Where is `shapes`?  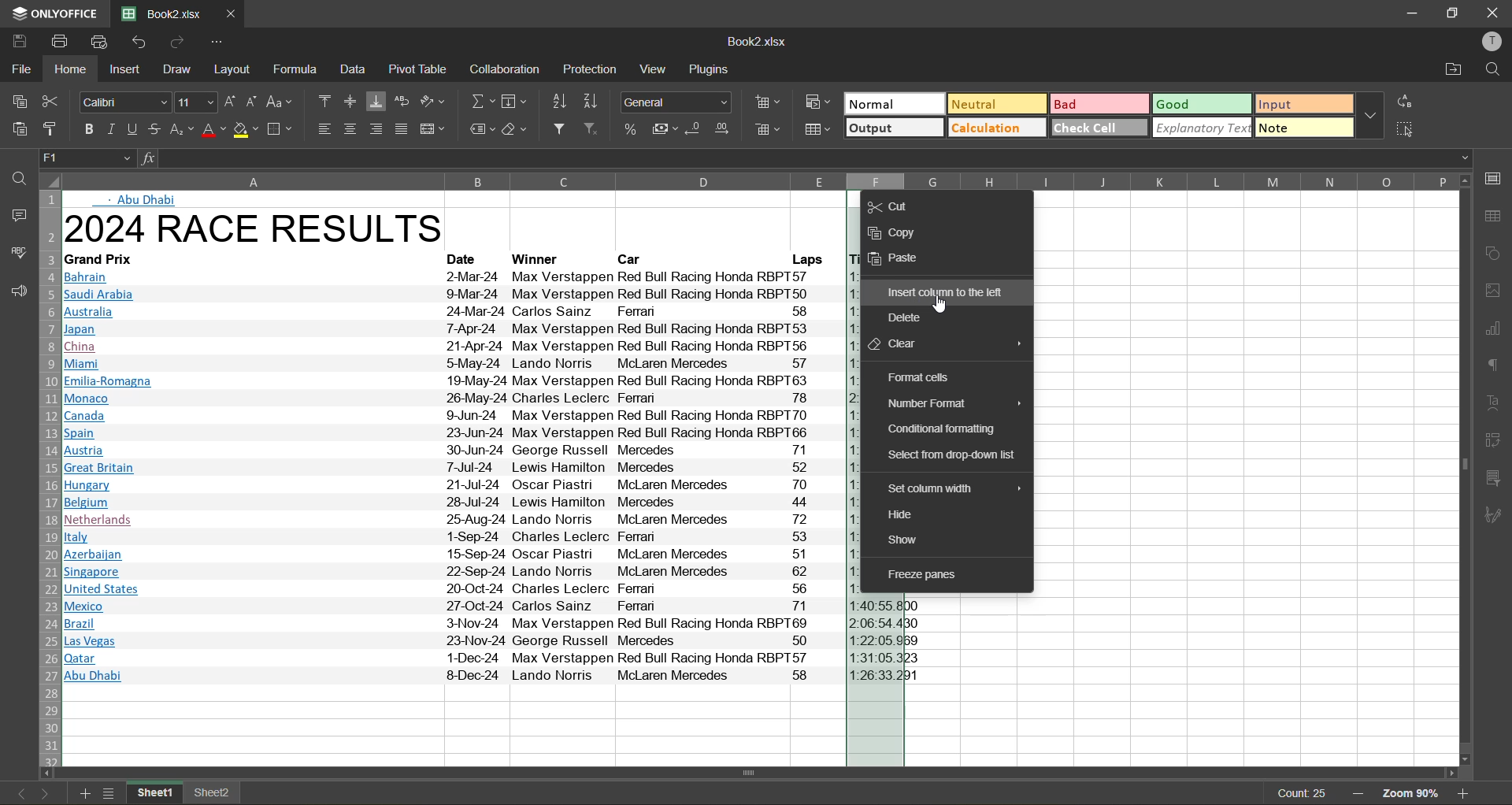
shapes is located at coordinates (1497, 251).